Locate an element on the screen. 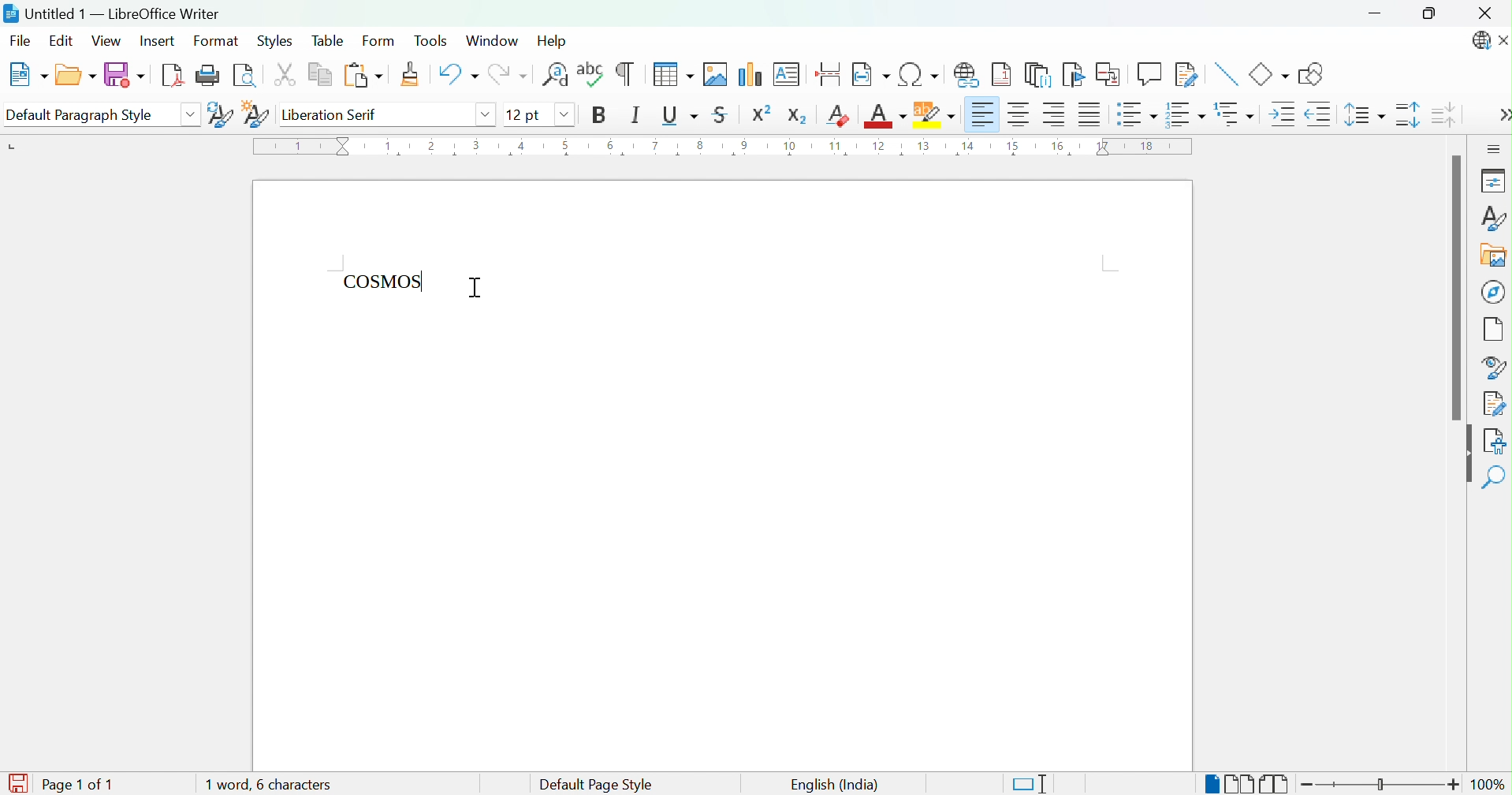  Font Color is located at coordinates (884, 117).